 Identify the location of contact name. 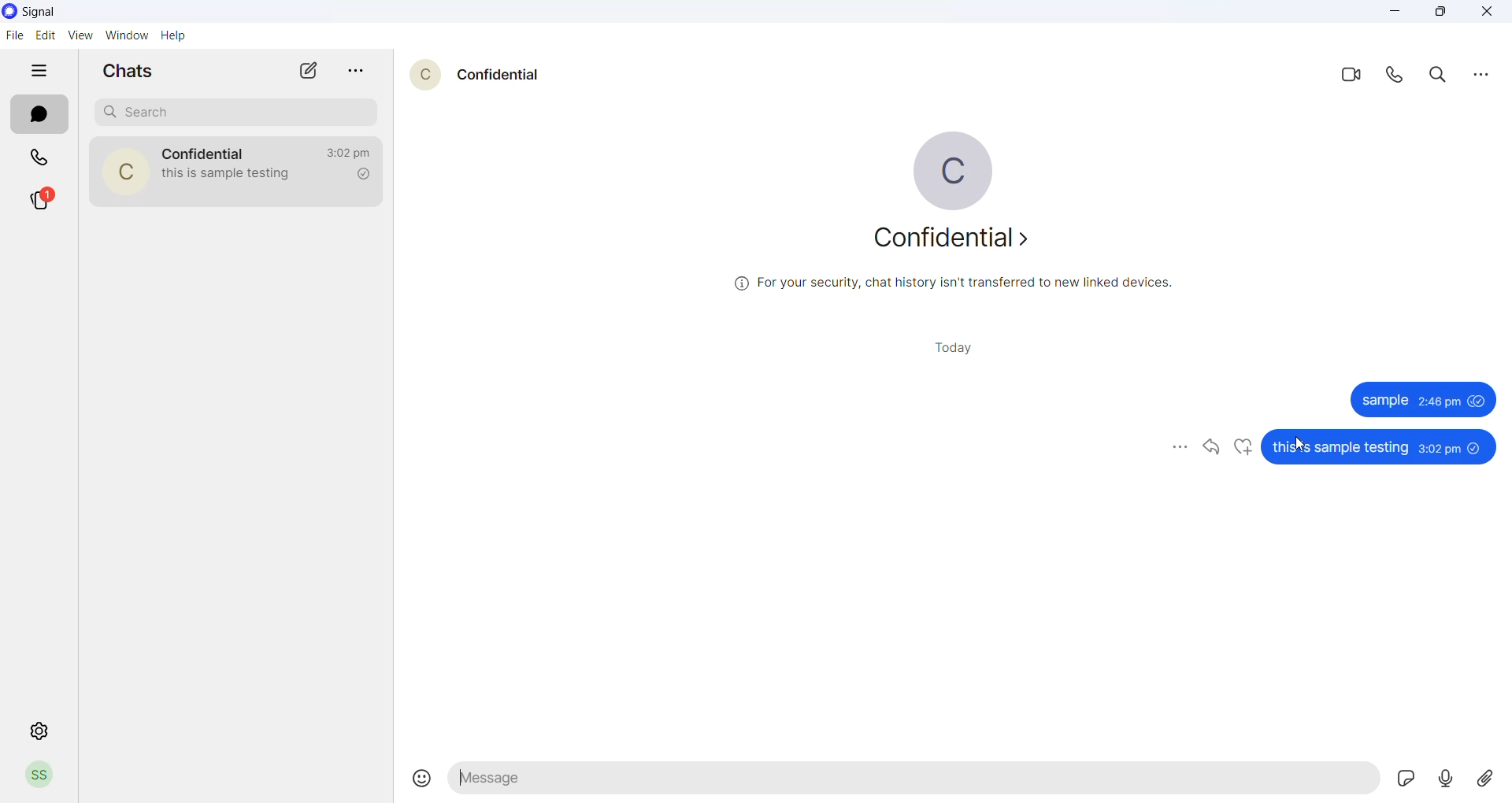
(498, 74).